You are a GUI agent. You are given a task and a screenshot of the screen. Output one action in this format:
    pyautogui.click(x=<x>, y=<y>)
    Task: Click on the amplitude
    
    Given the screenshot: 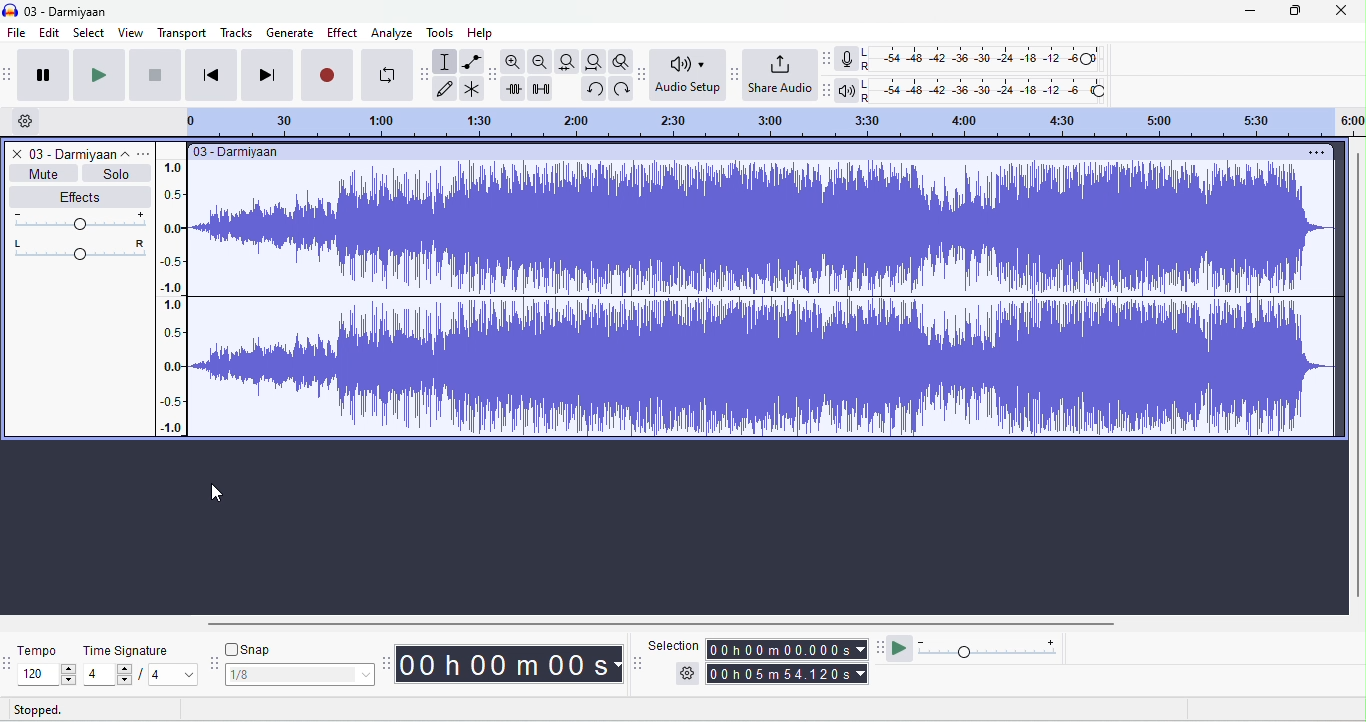 What is the action you would take?
    pyautogui.click(x=172, y=299)
    